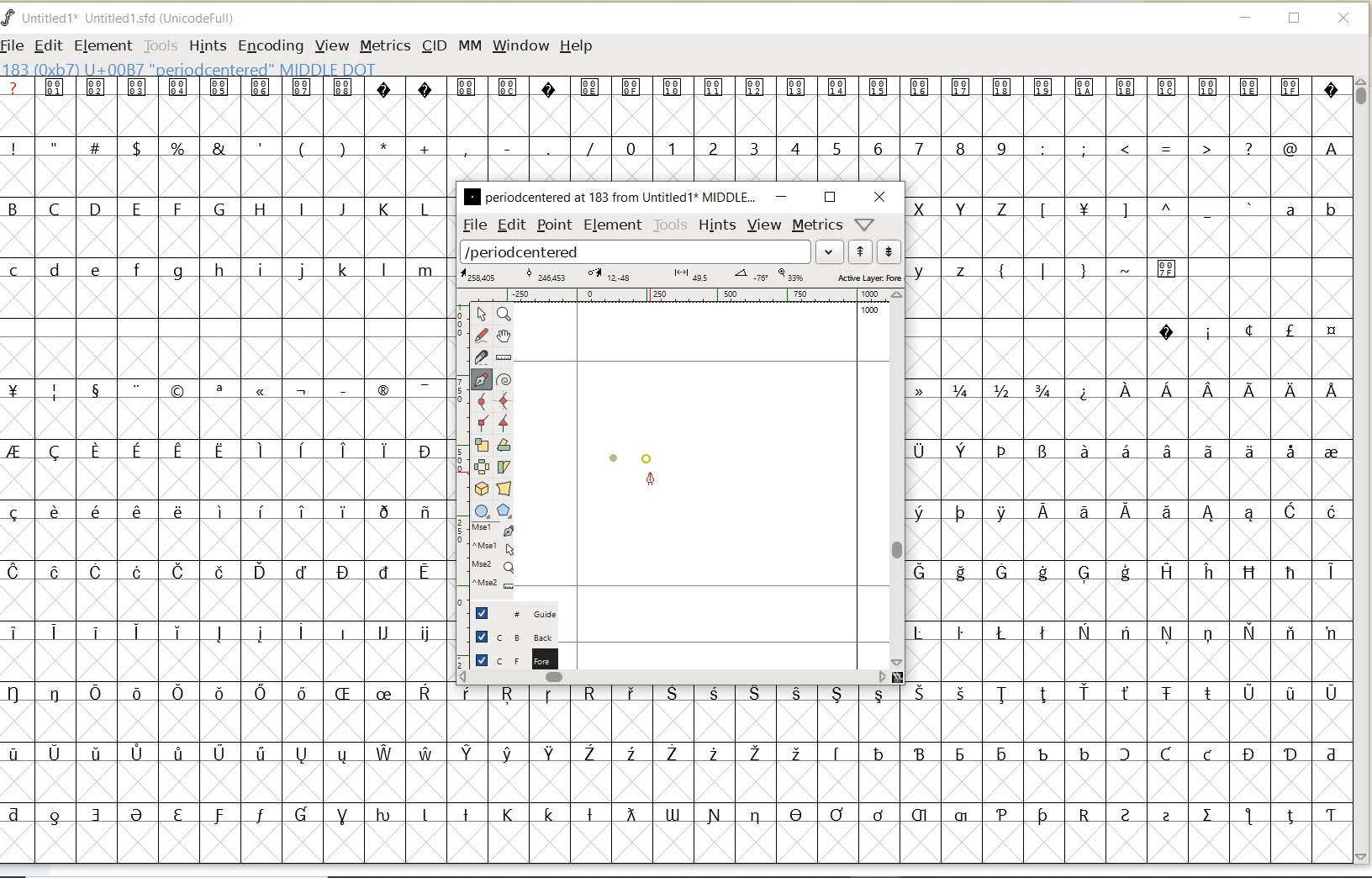 This screenshot has width=1372, height=878. What do you see at coordinates (504, 357) in the screenshot?
I see `measure a distance, angle between points` at bounding box center [504, 357].